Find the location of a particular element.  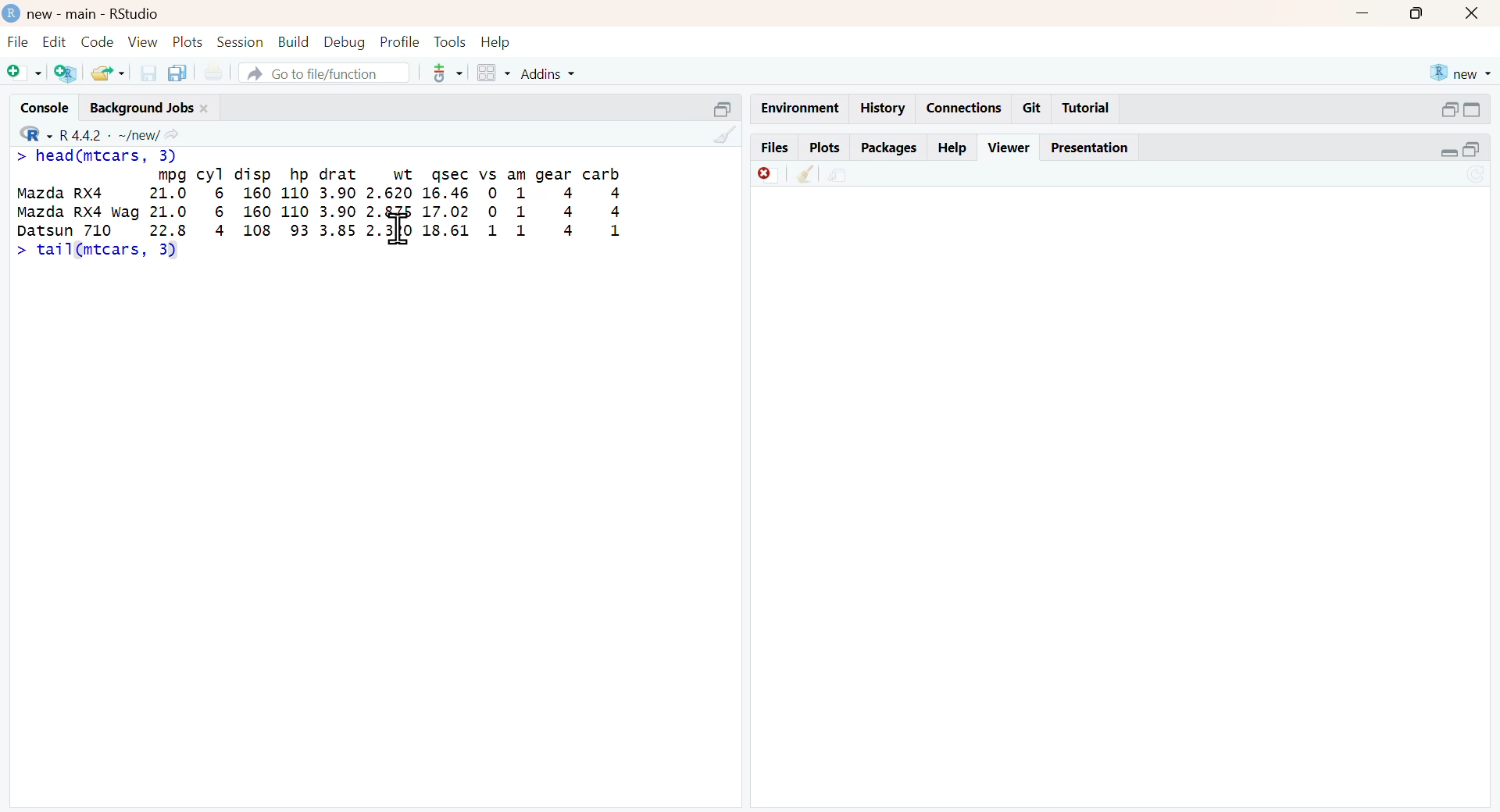

Debug is located at coordinates (343, 42).